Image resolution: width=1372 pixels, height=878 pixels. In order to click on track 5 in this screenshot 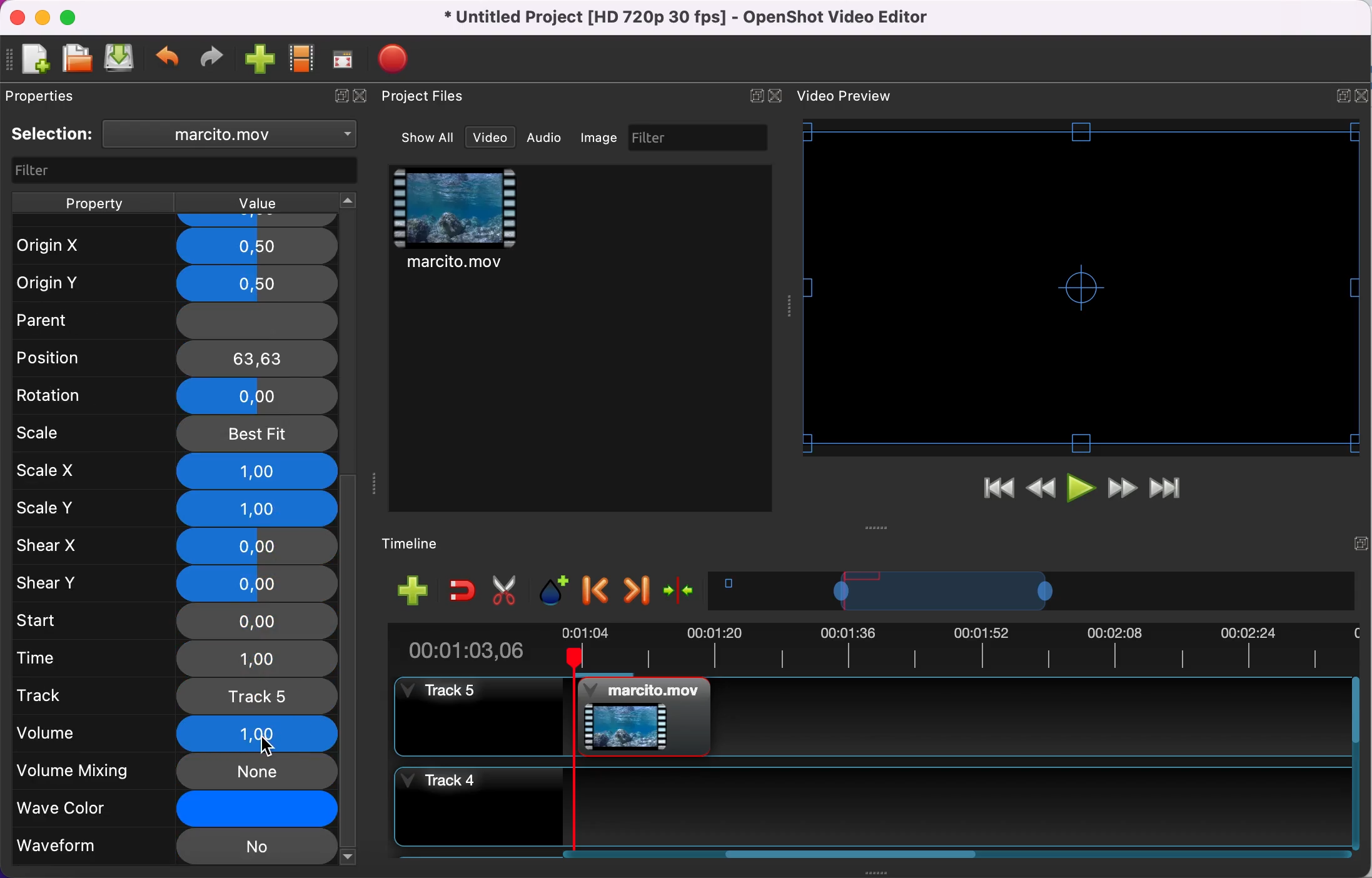, I will do `click(870, 717)`.